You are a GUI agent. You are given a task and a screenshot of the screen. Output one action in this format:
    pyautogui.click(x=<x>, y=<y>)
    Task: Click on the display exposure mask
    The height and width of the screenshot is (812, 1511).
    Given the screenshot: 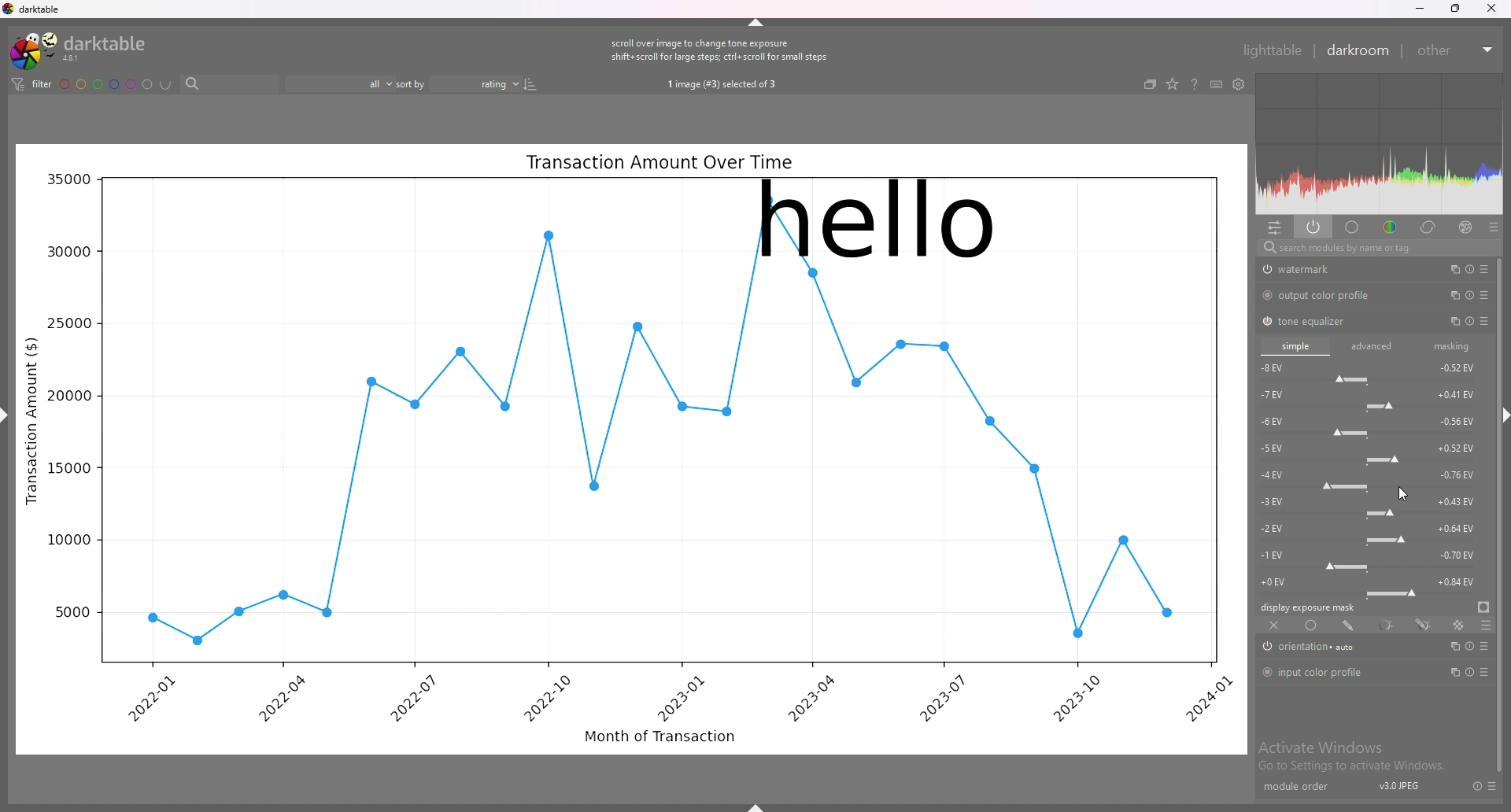 What is the action you would take?
    pyautogui.click(x=1309, y=607)
    